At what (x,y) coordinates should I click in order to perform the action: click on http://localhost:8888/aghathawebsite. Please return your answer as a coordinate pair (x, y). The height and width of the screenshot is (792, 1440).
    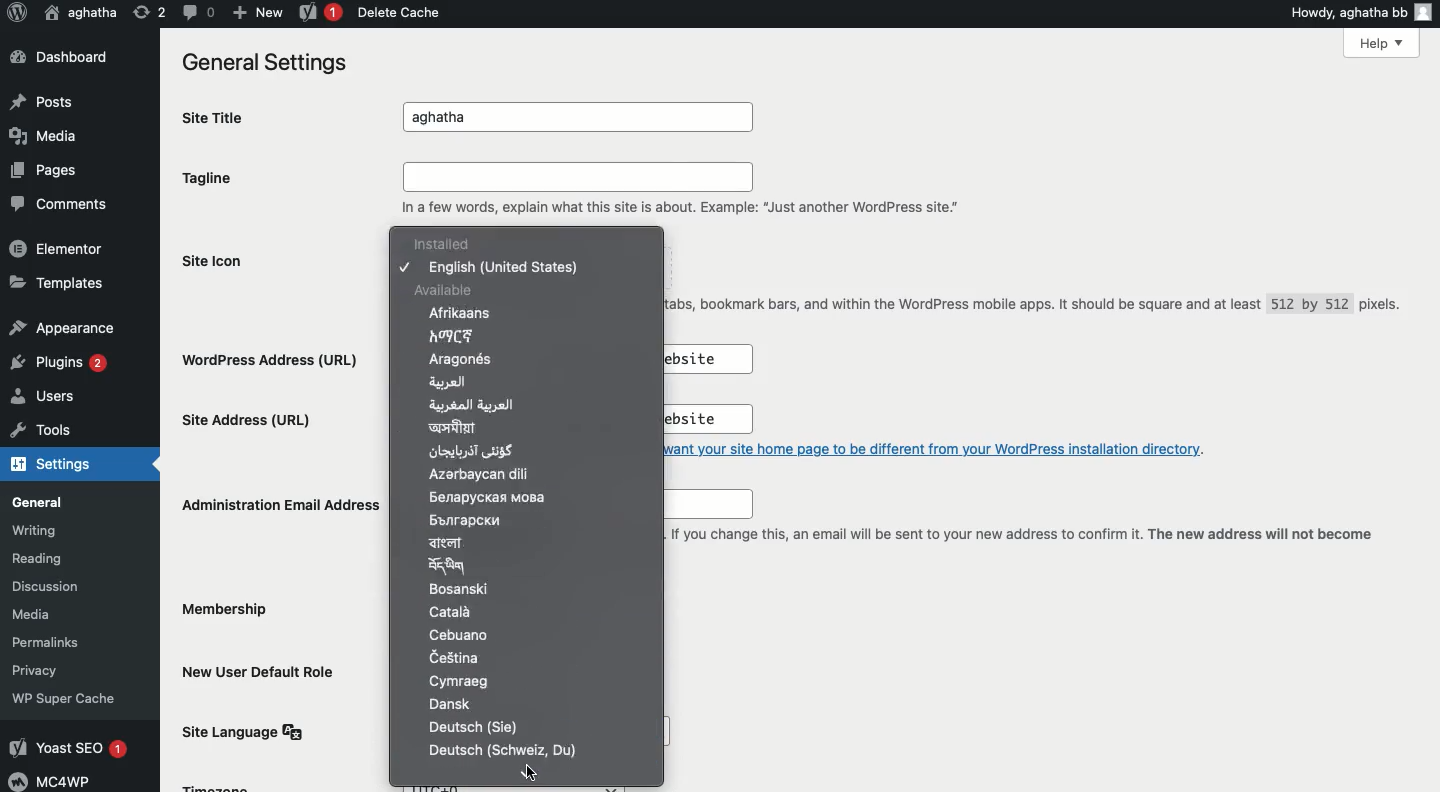
    Looking at the image, I should click on (695, 420).